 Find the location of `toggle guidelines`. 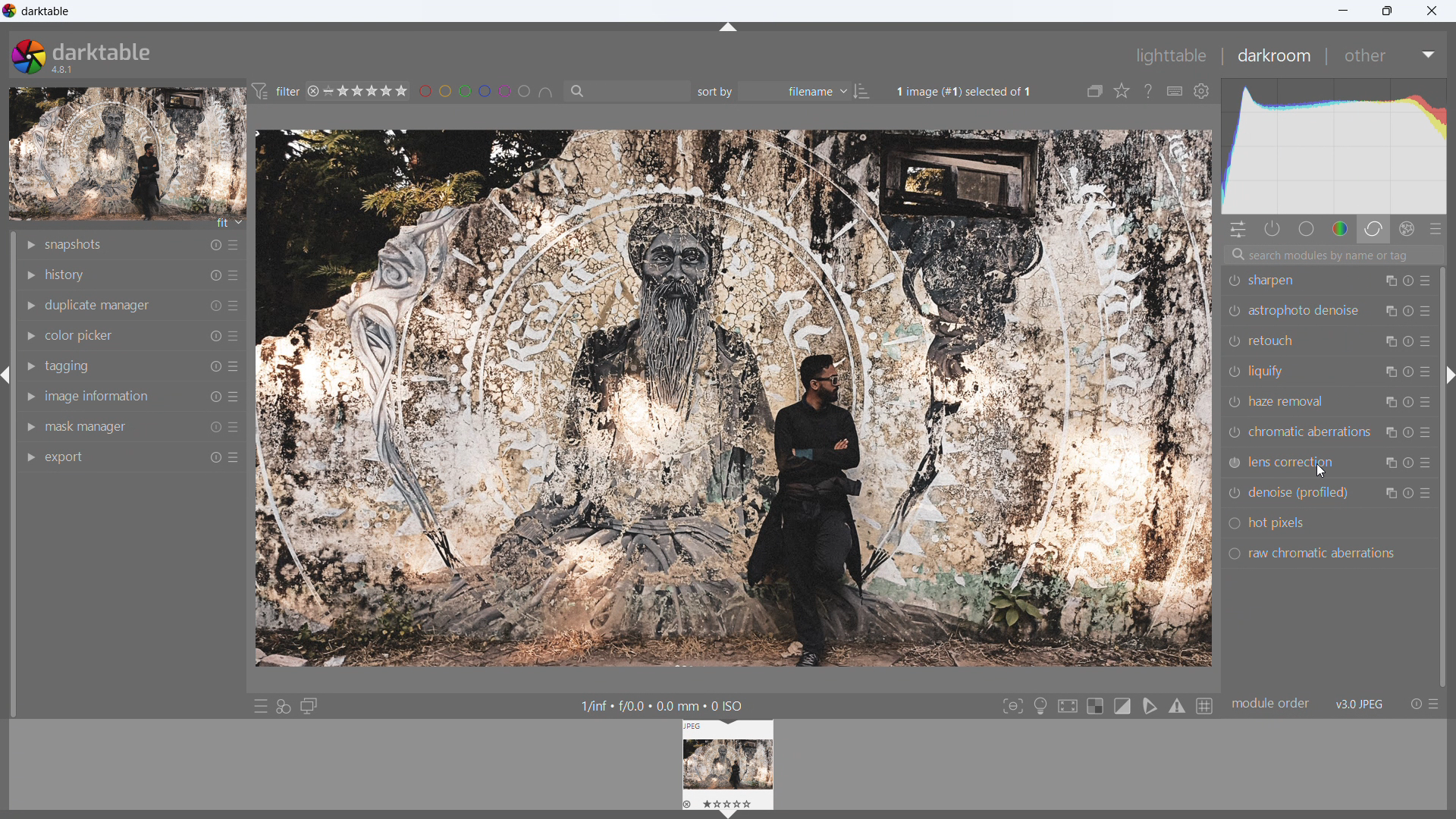

toggle guidelines is located at coordinates (1205, 706).